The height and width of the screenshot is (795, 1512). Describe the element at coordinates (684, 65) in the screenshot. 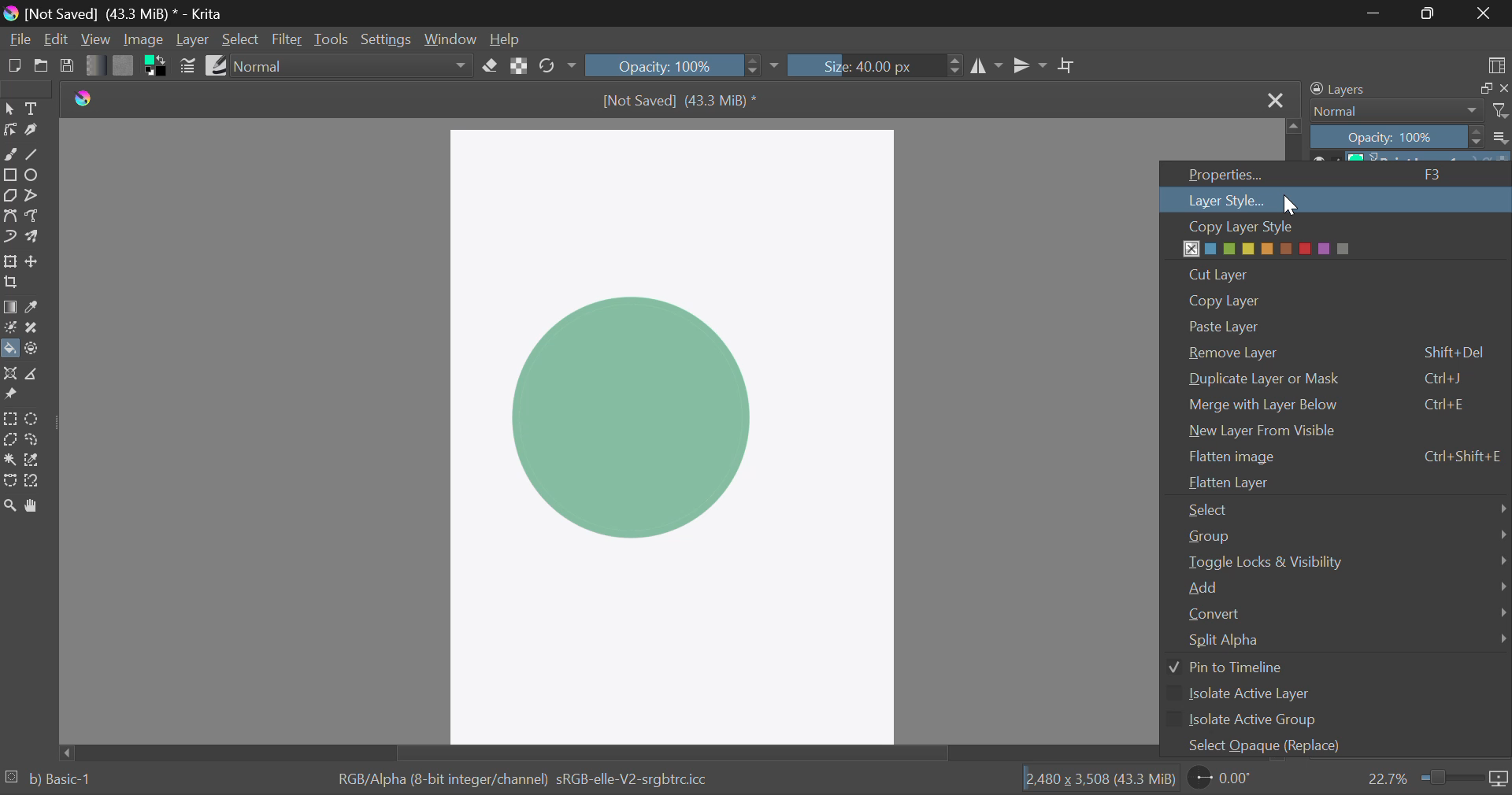

I see `Opacity` at that location.